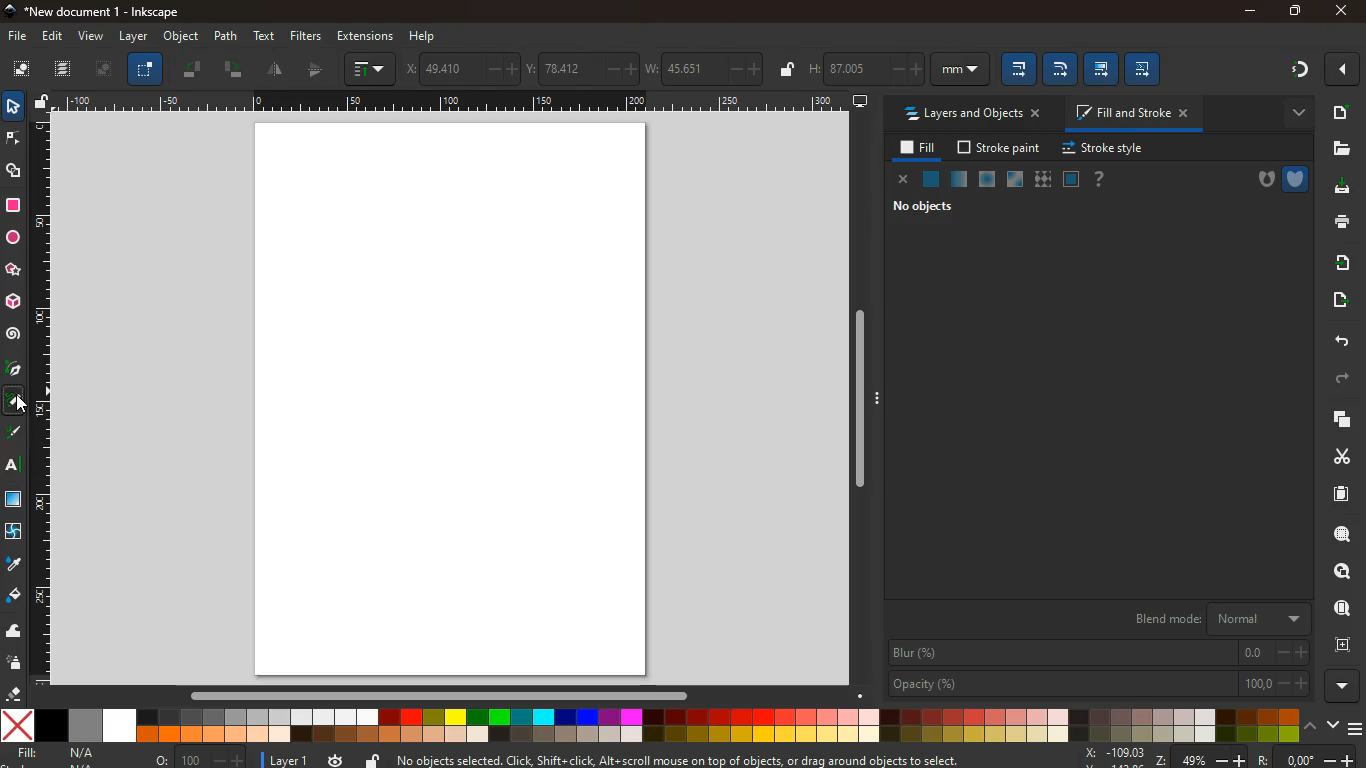 The height and width of the screenshot is (768, 1366). I want to click on half, so click(277, 71).